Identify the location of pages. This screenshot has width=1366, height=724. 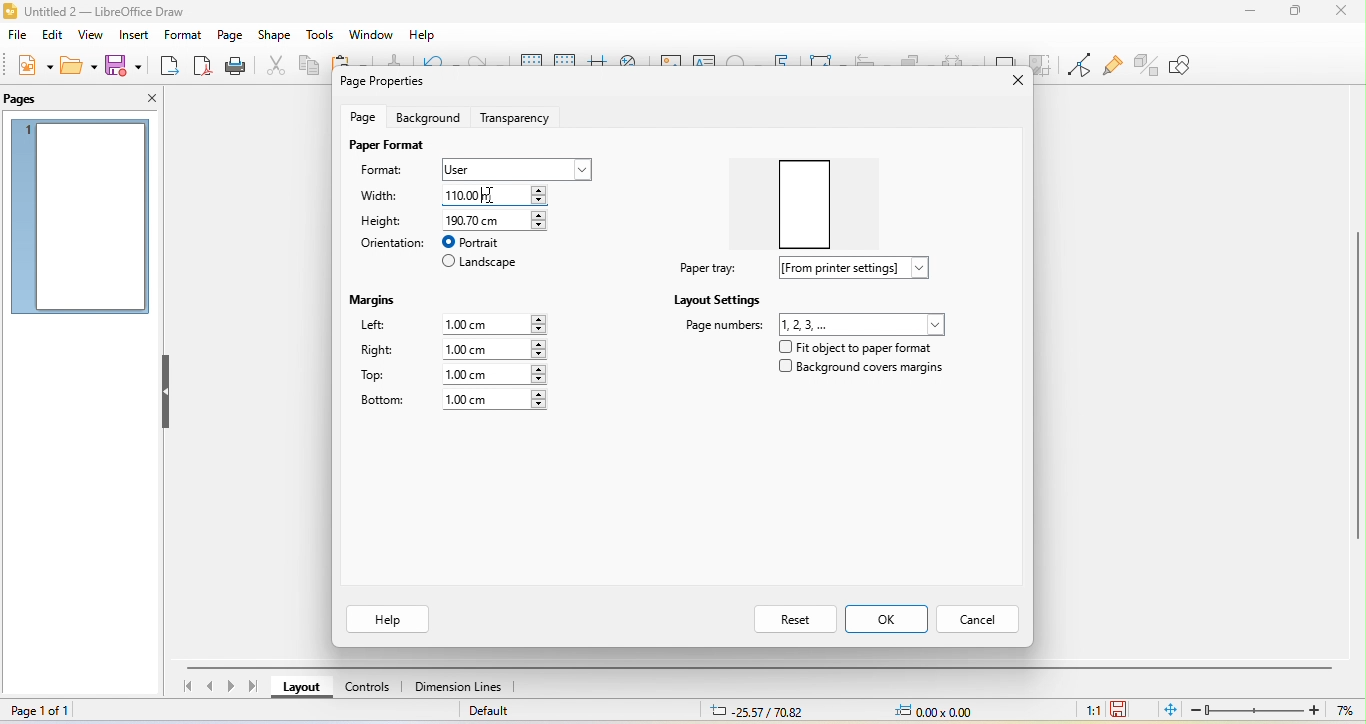
(31, 99).